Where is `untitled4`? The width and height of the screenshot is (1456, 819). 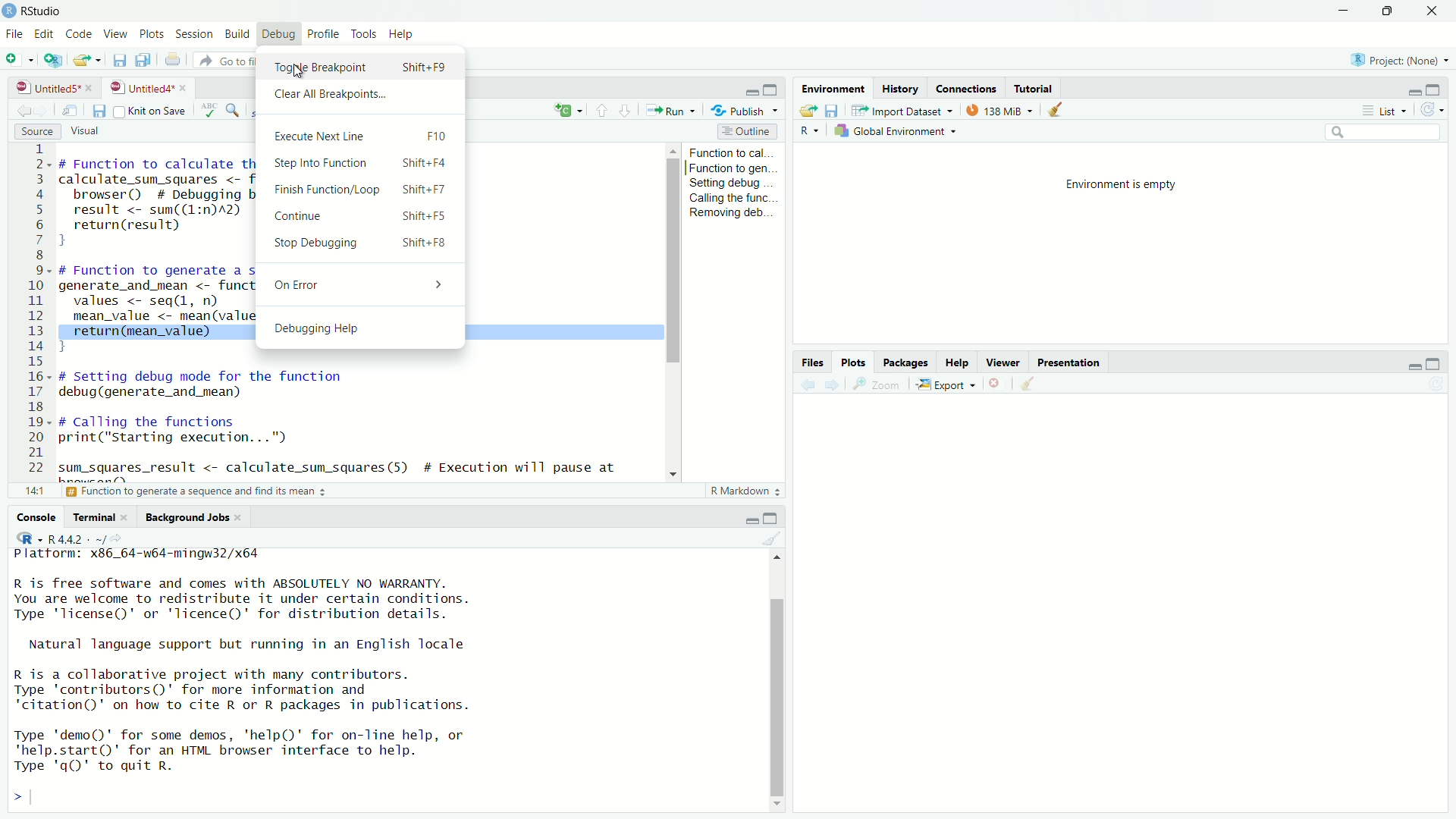
untitled4 is located at coordinates (143, 87).